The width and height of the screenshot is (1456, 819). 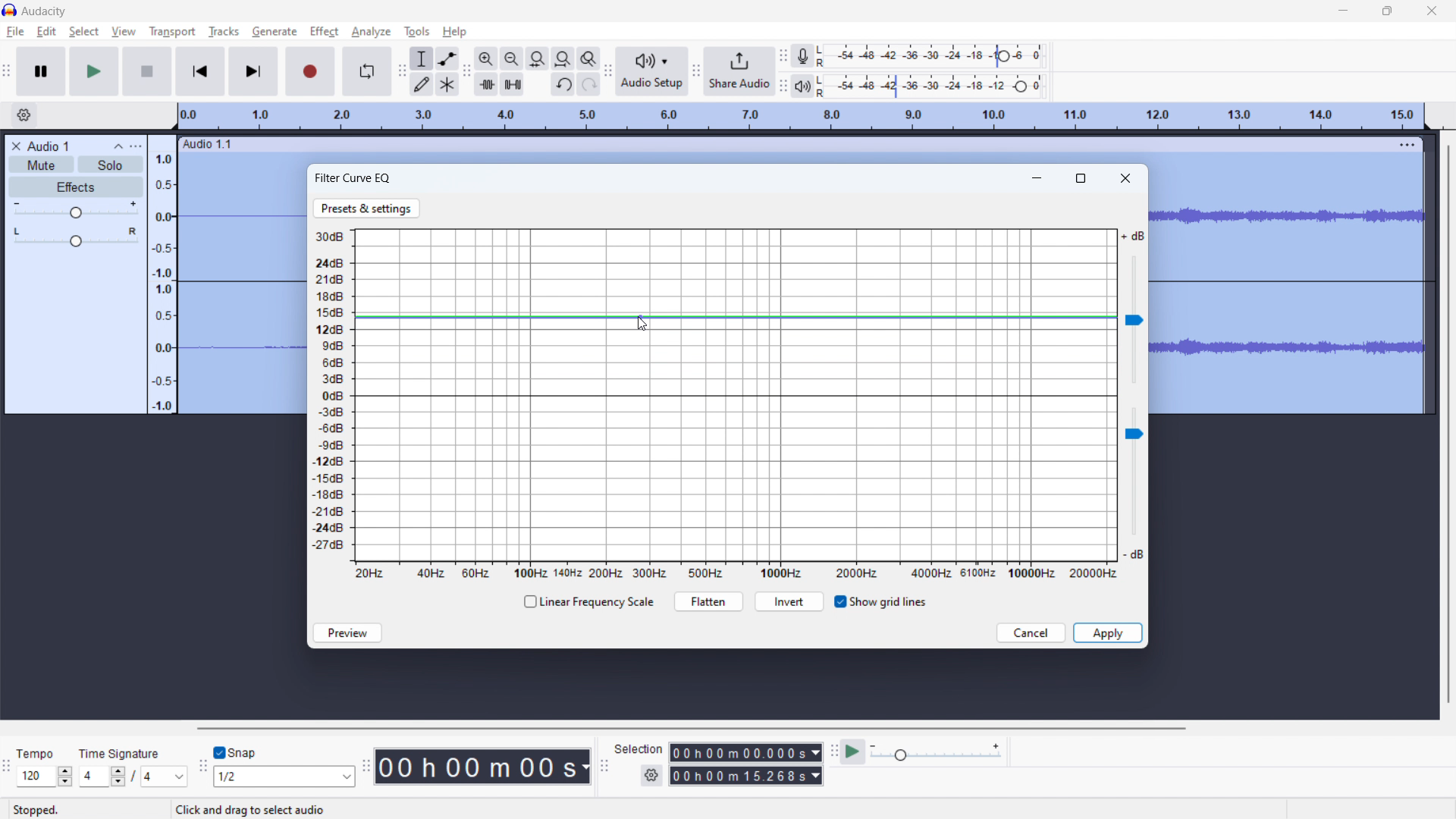 I want to click on time signature toolbar, so click(x=7, y=767).